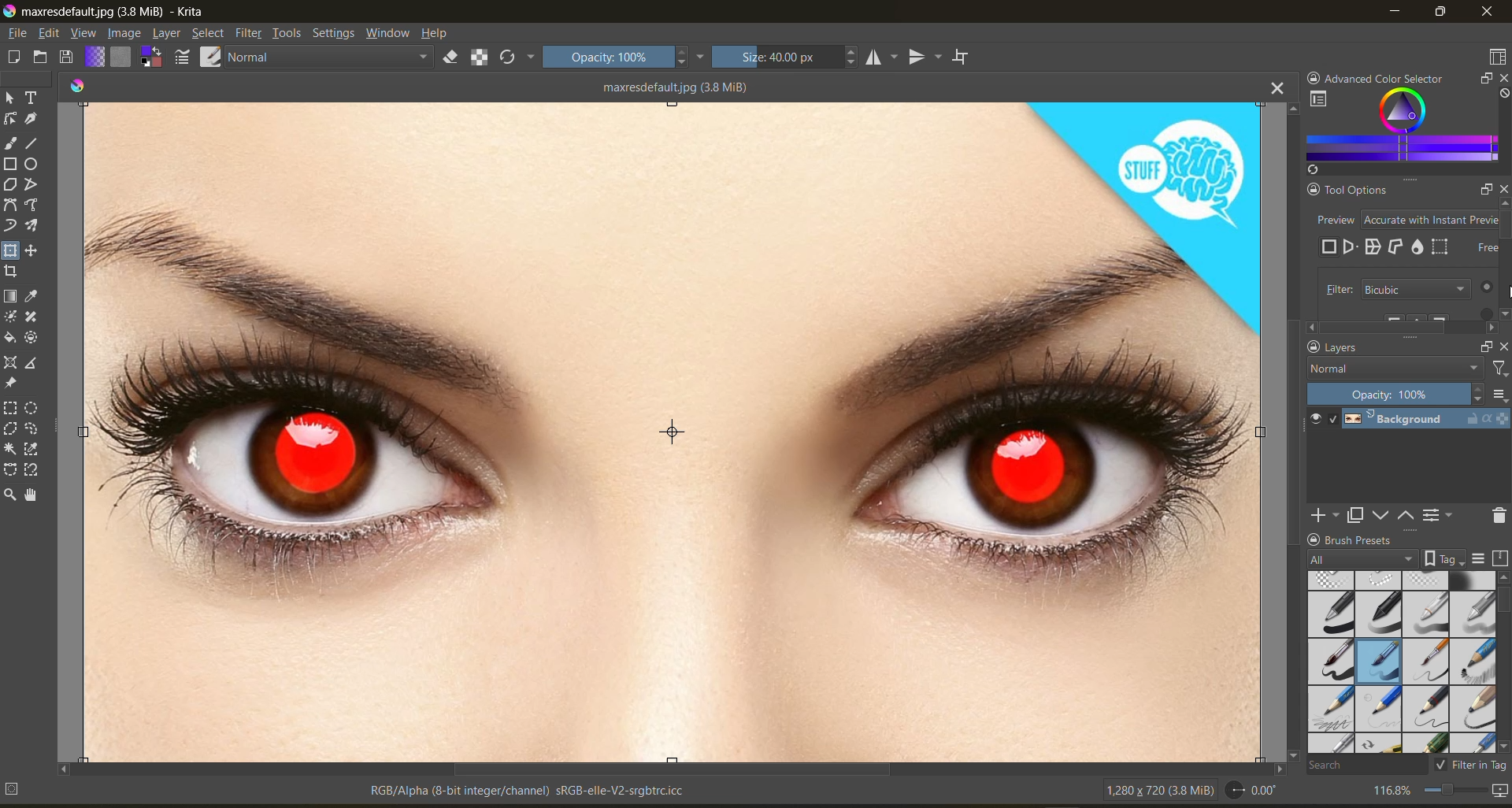  What do you see at coordinates (1443, 13) in the screenshot?
I see `maximize` at bounding box center [1443, 13].